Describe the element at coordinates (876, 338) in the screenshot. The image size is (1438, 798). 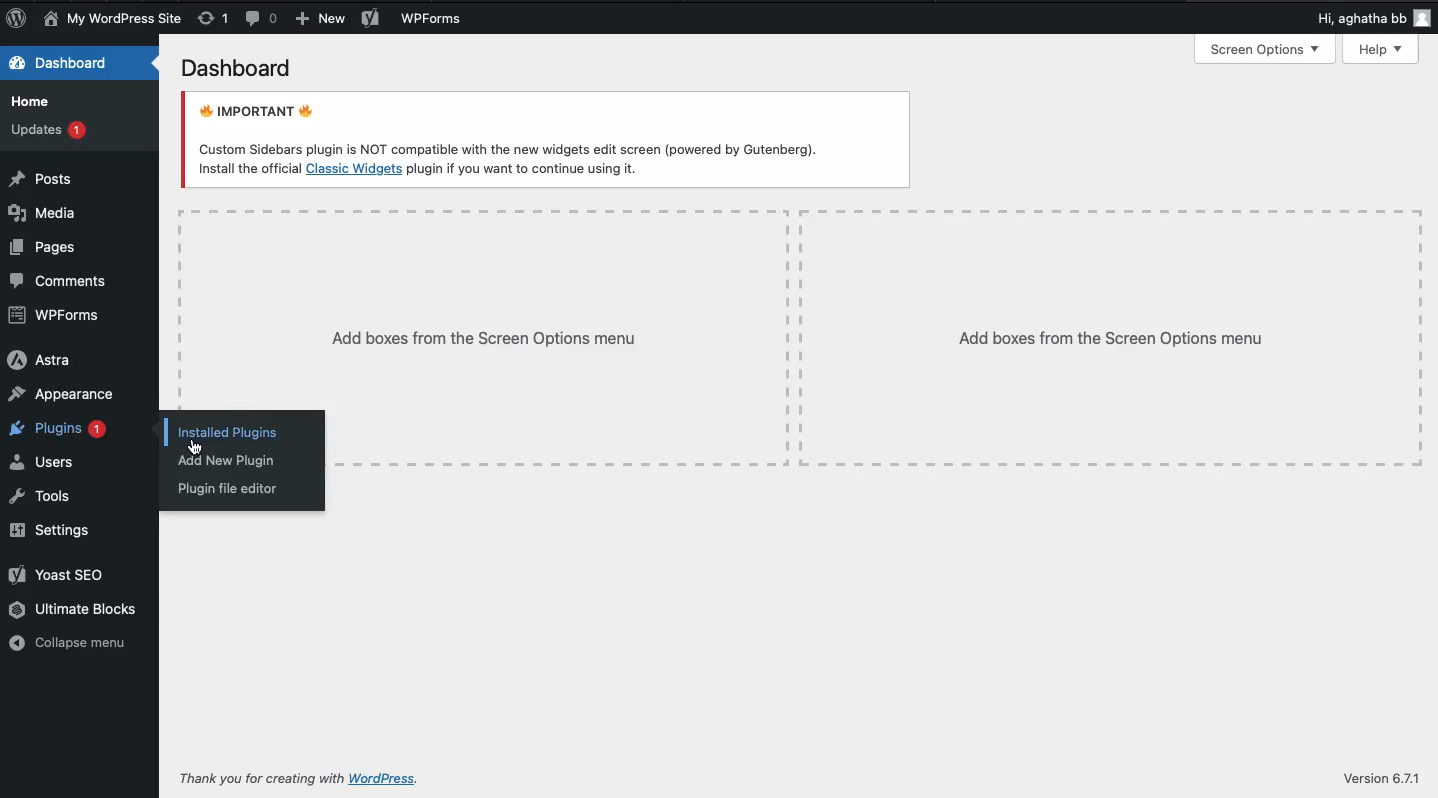
I see `Add boxes from the screen options menu` at that location.